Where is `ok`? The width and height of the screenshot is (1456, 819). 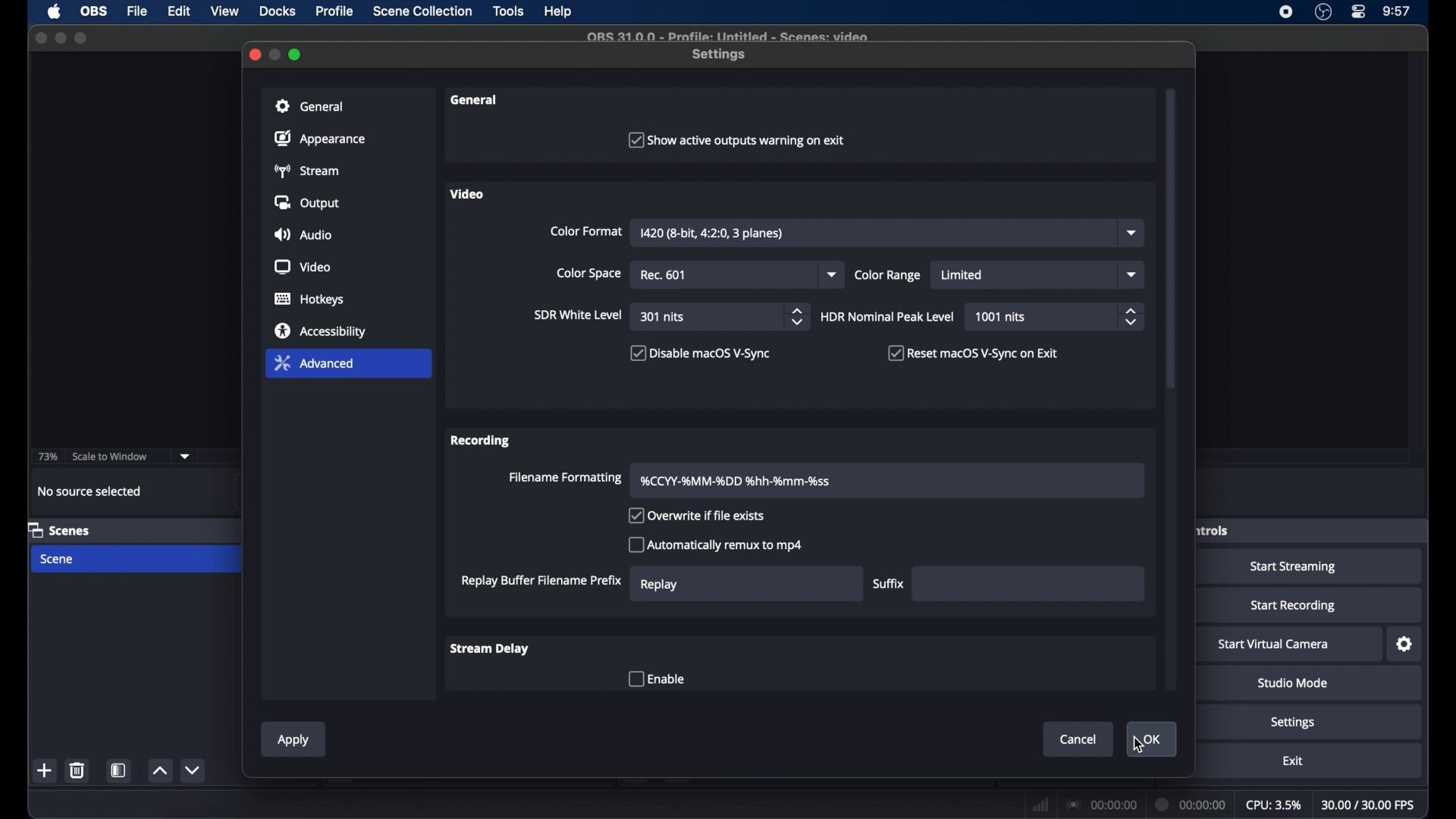
ok is located at coordinates (1153, 740).